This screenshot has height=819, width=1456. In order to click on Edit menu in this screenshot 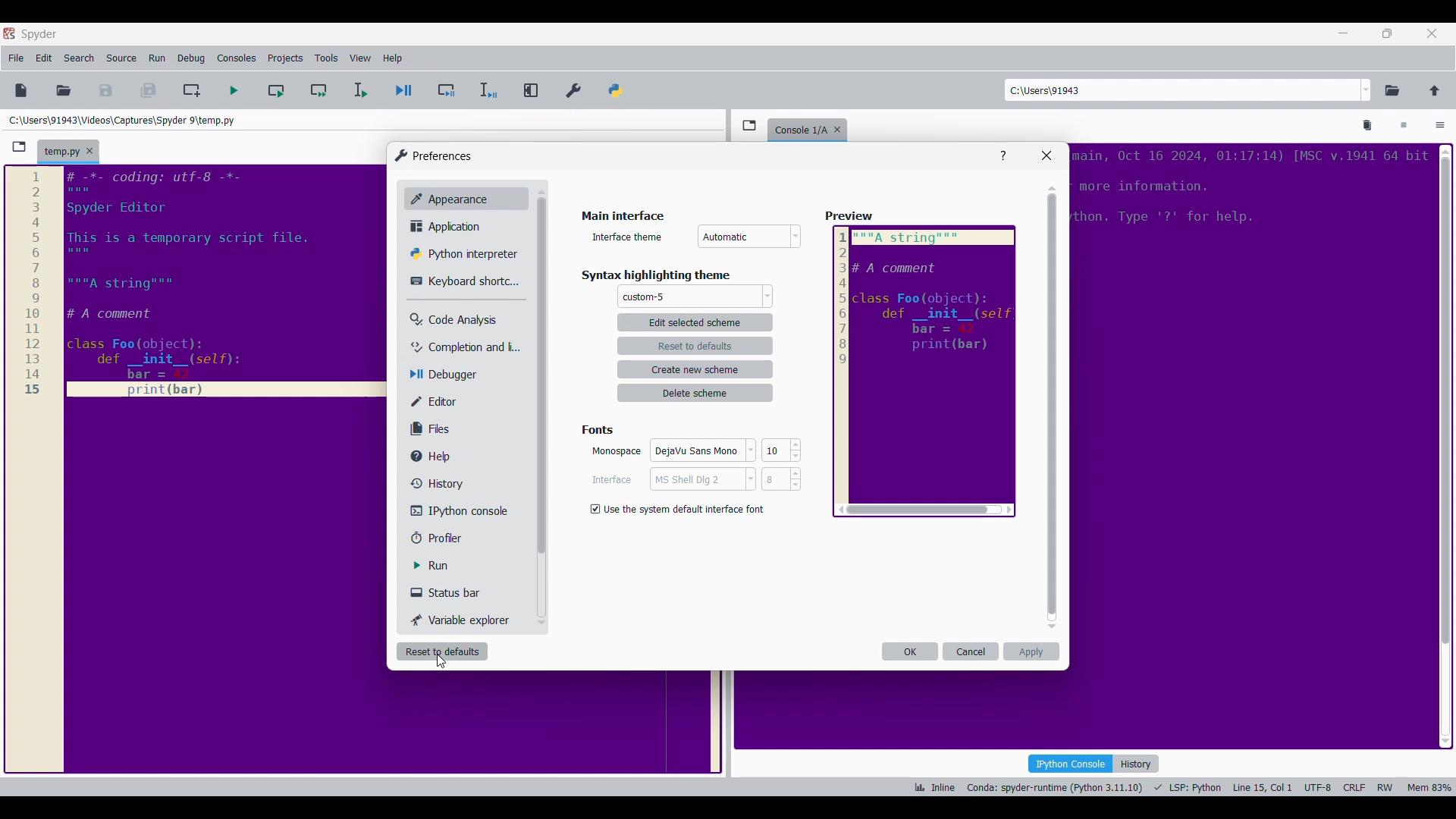, I will do `click(44, 58)`.